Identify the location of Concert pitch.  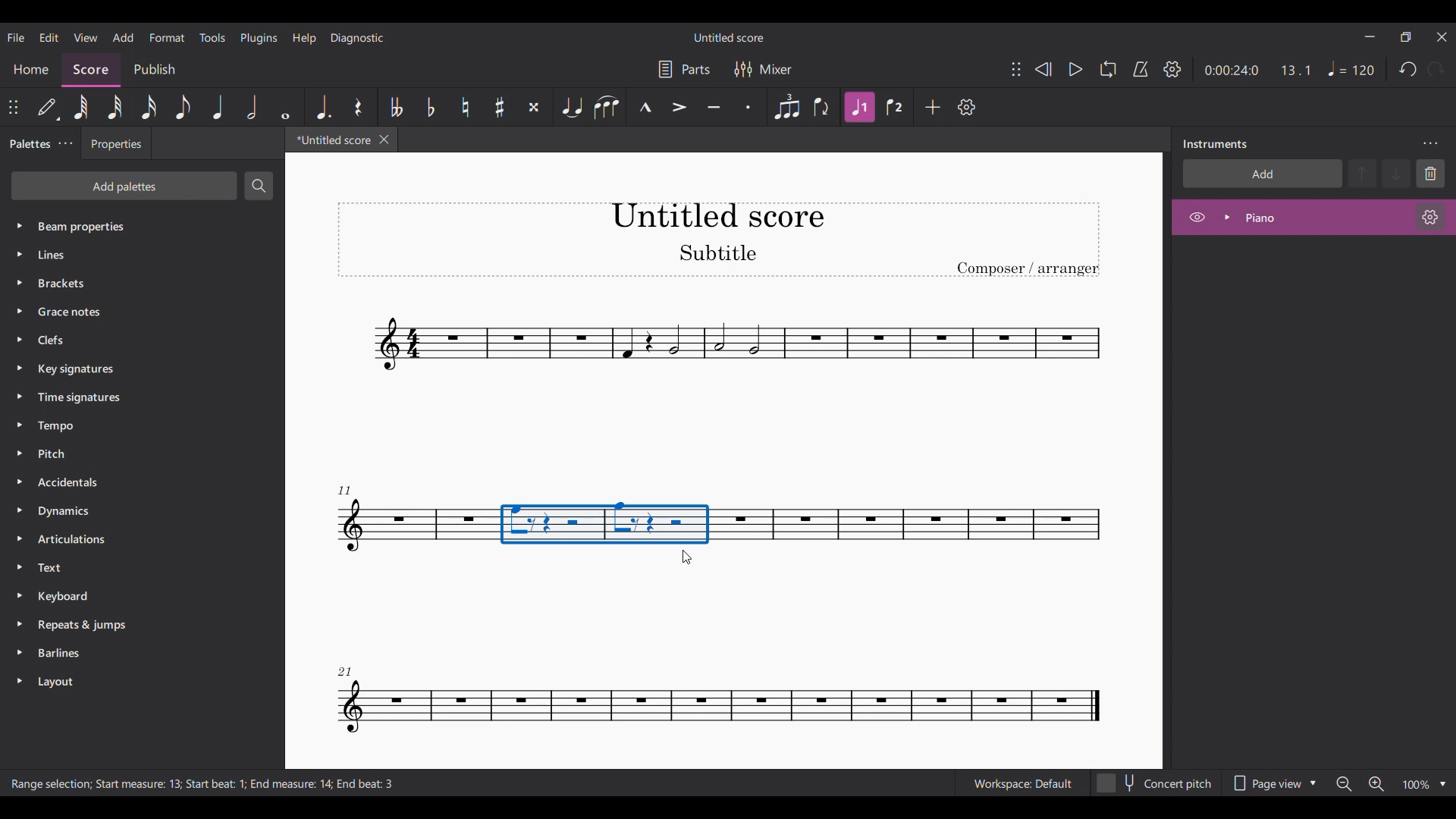
(1155, 780).